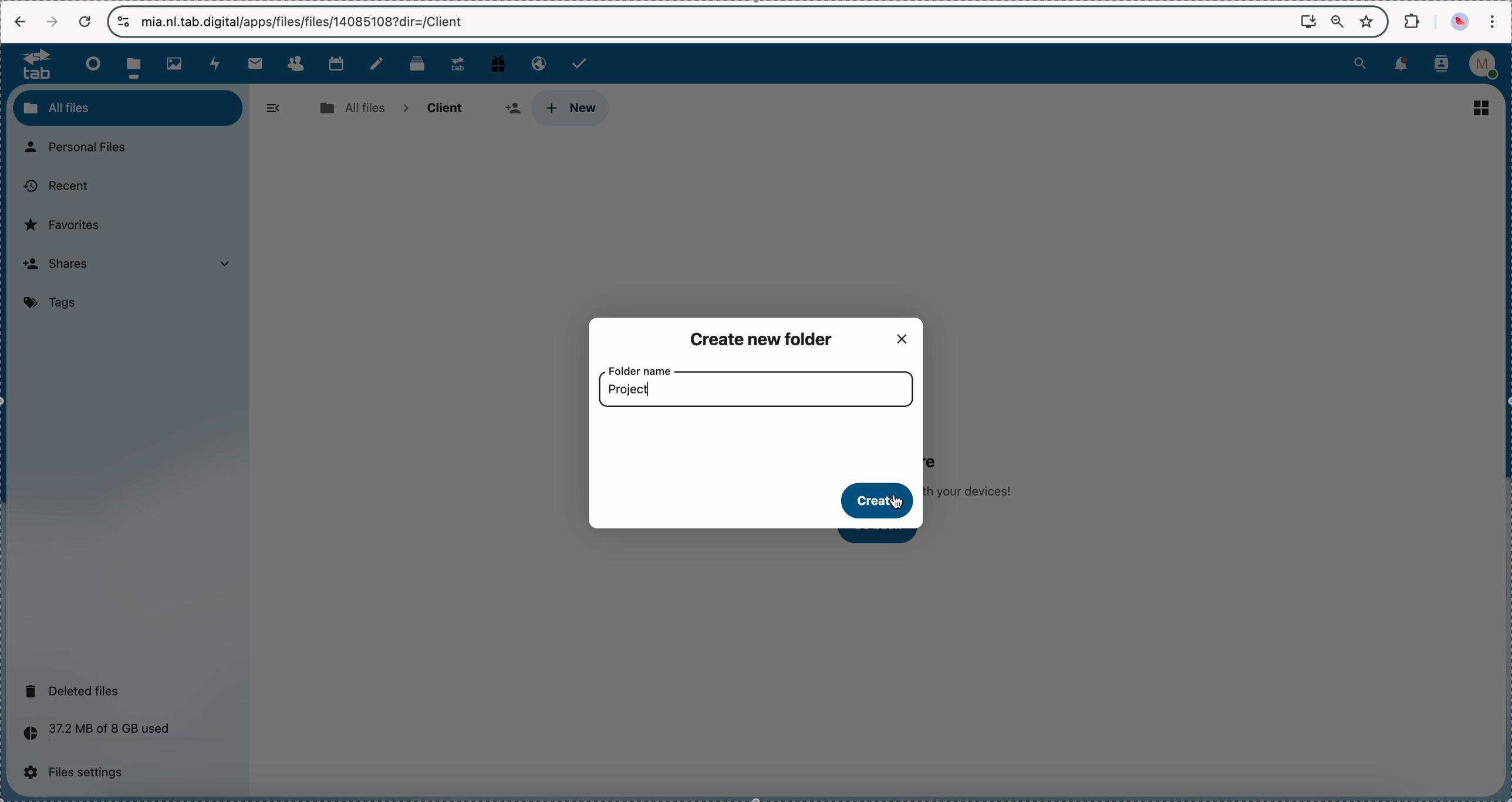 This screenshot has height=802, width=1512. I want to click on url, so click(308, 22).